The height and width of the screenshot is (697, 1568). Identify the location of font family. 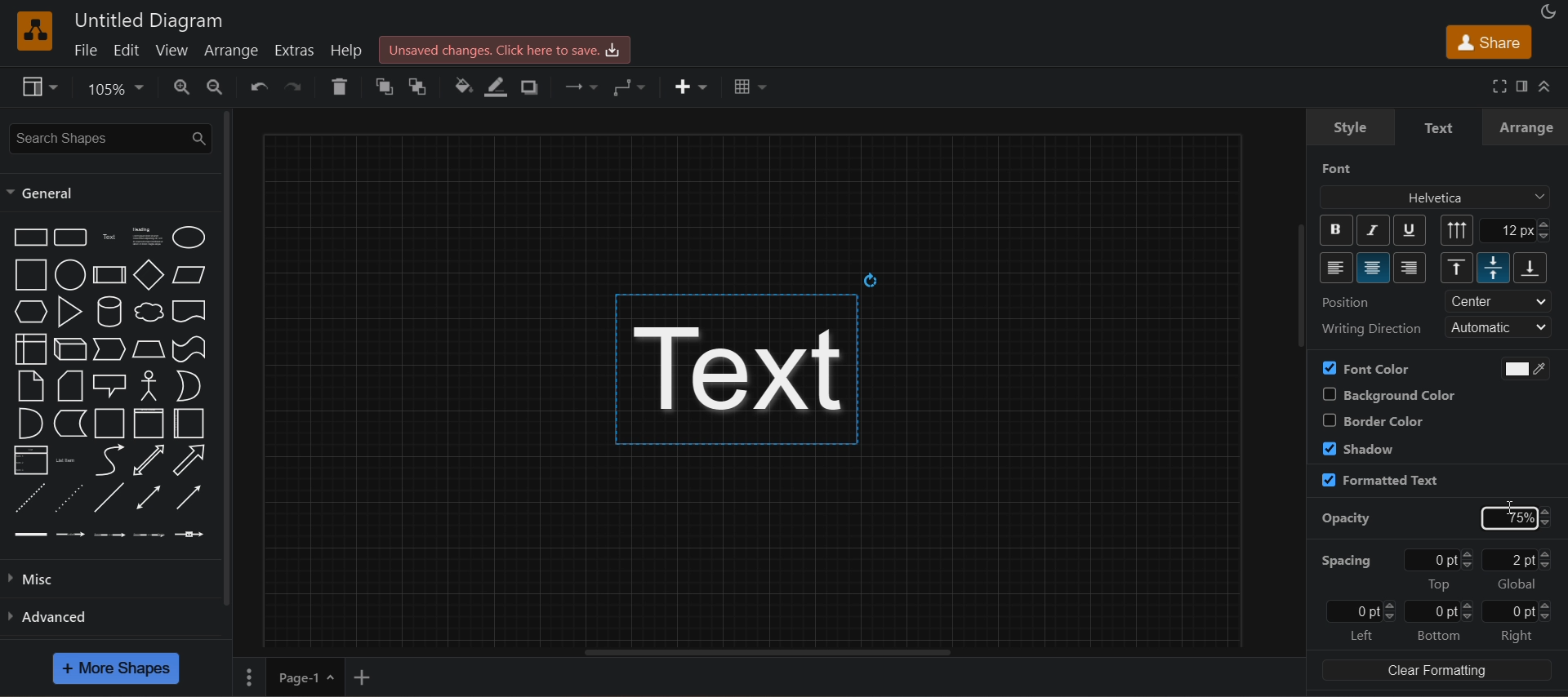
(1437, 198).